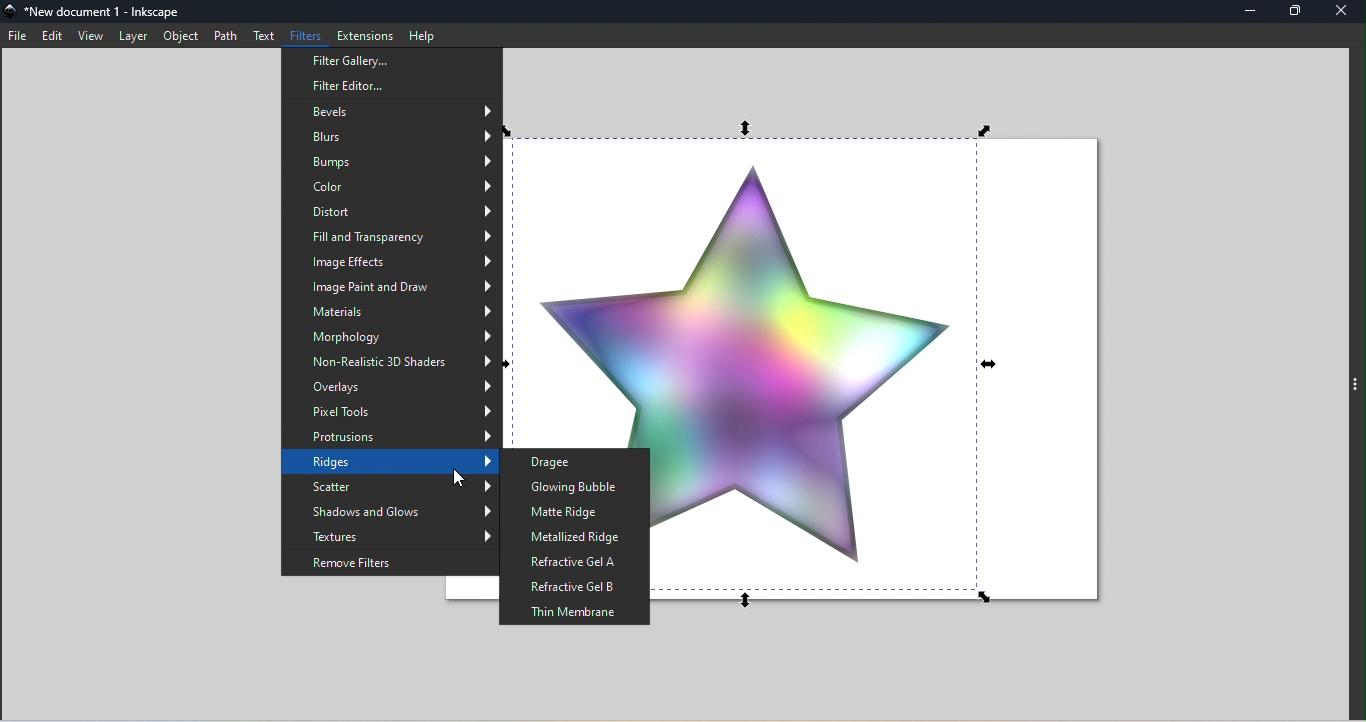 This screenshot has height=722, width=1366. What do you see at coordinates (391, 237) in the screenshot?
I see `Fill and transparency` at bounding box center [391, 237].